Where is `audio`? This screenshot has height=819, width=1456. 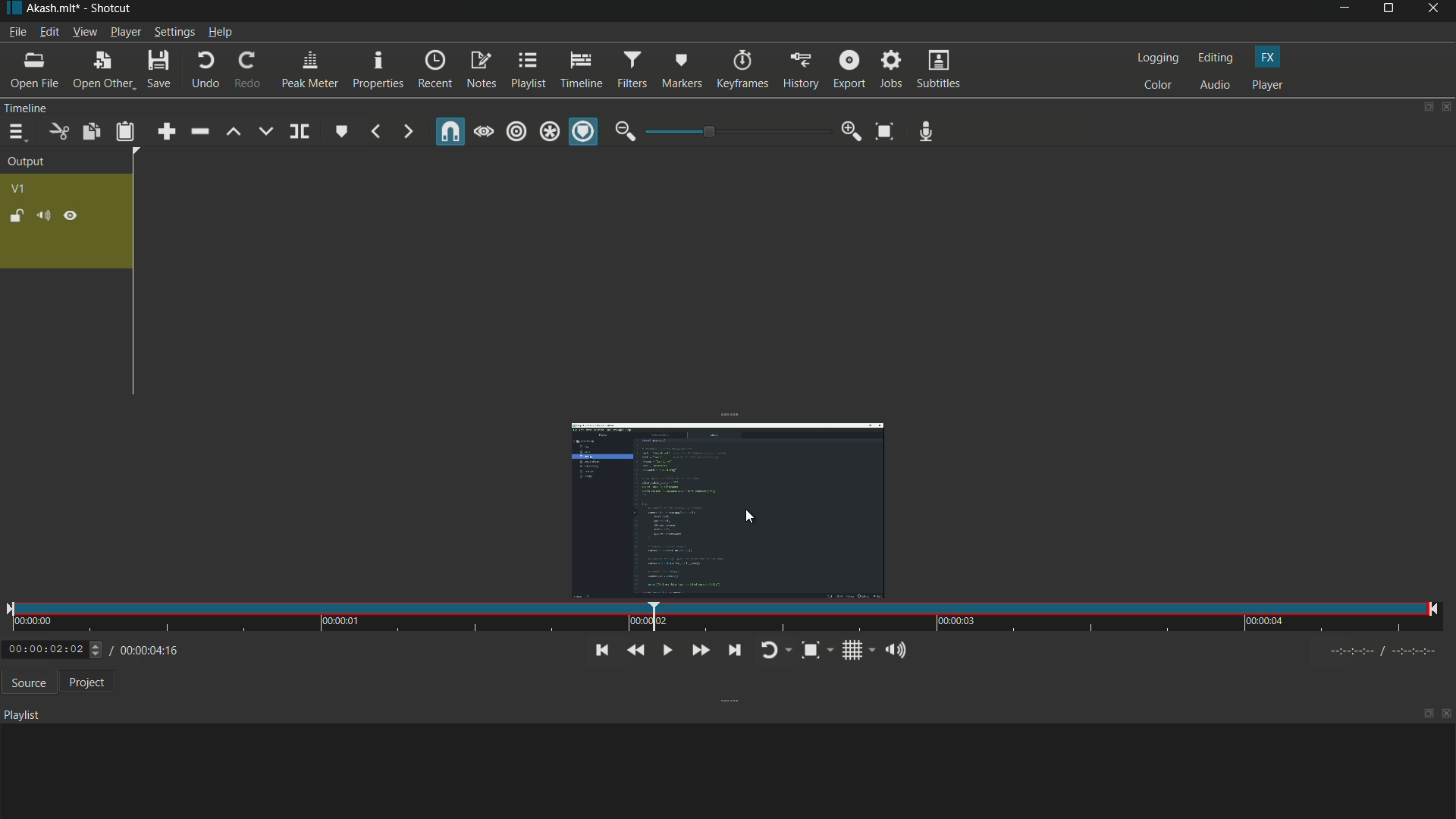 audio is located at coordinates (1216, 86).